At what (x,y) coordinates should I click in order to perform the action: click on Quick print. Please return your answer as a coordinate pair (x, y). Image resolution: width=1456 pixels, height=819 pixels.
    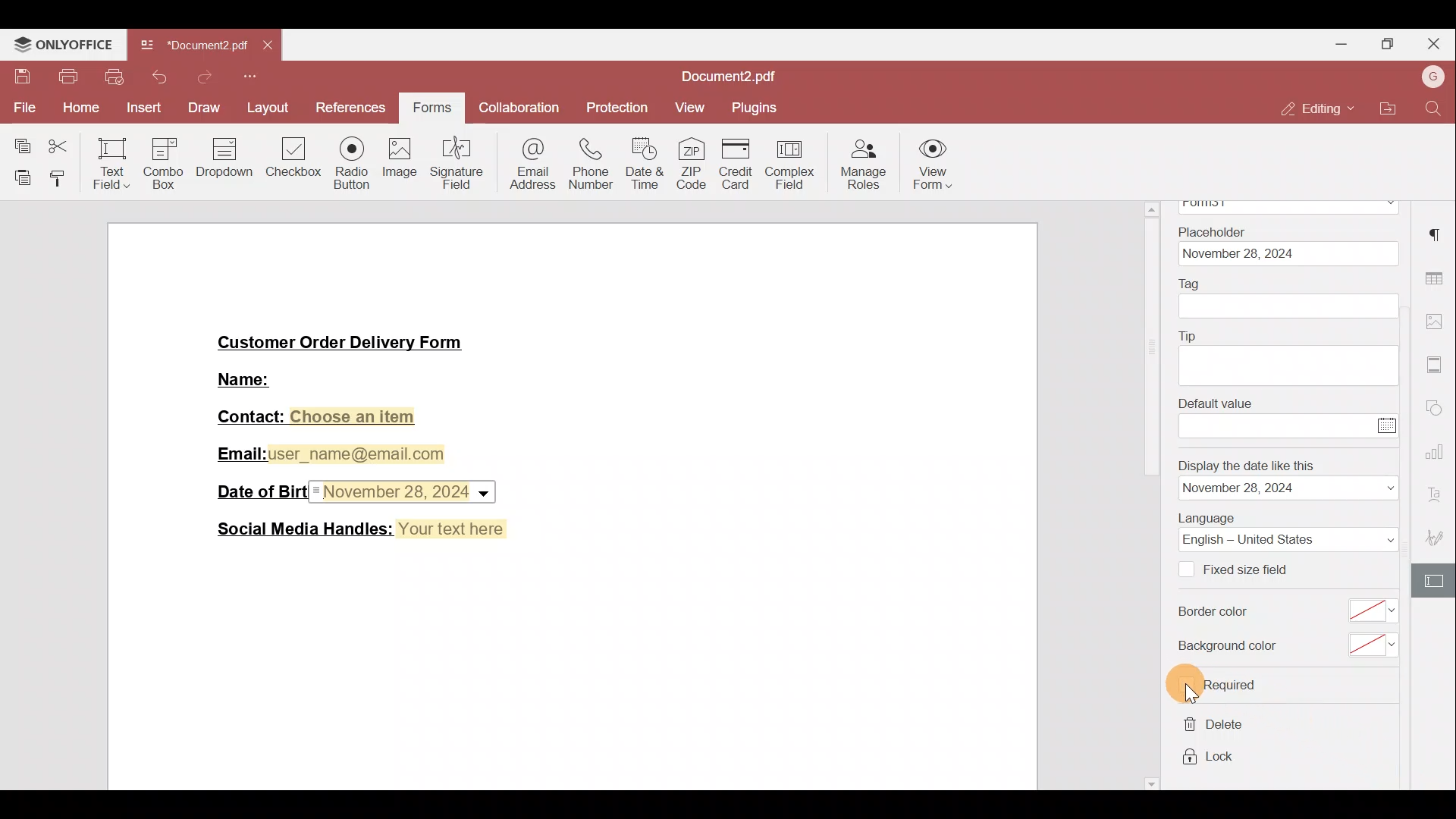
    Looking at the image, I should click on (113, 76).